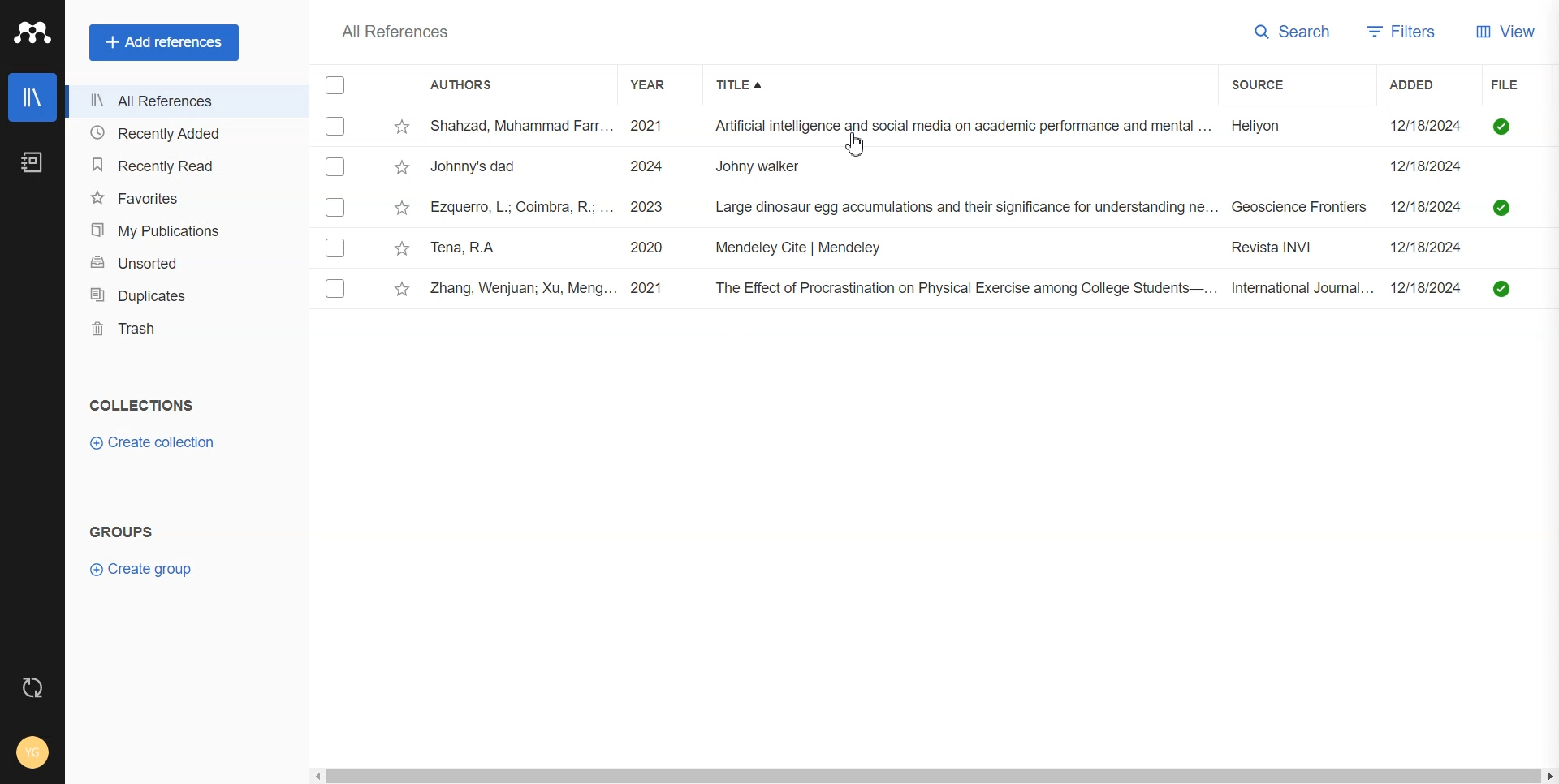  I want to click on Add references, so click(166, 43).